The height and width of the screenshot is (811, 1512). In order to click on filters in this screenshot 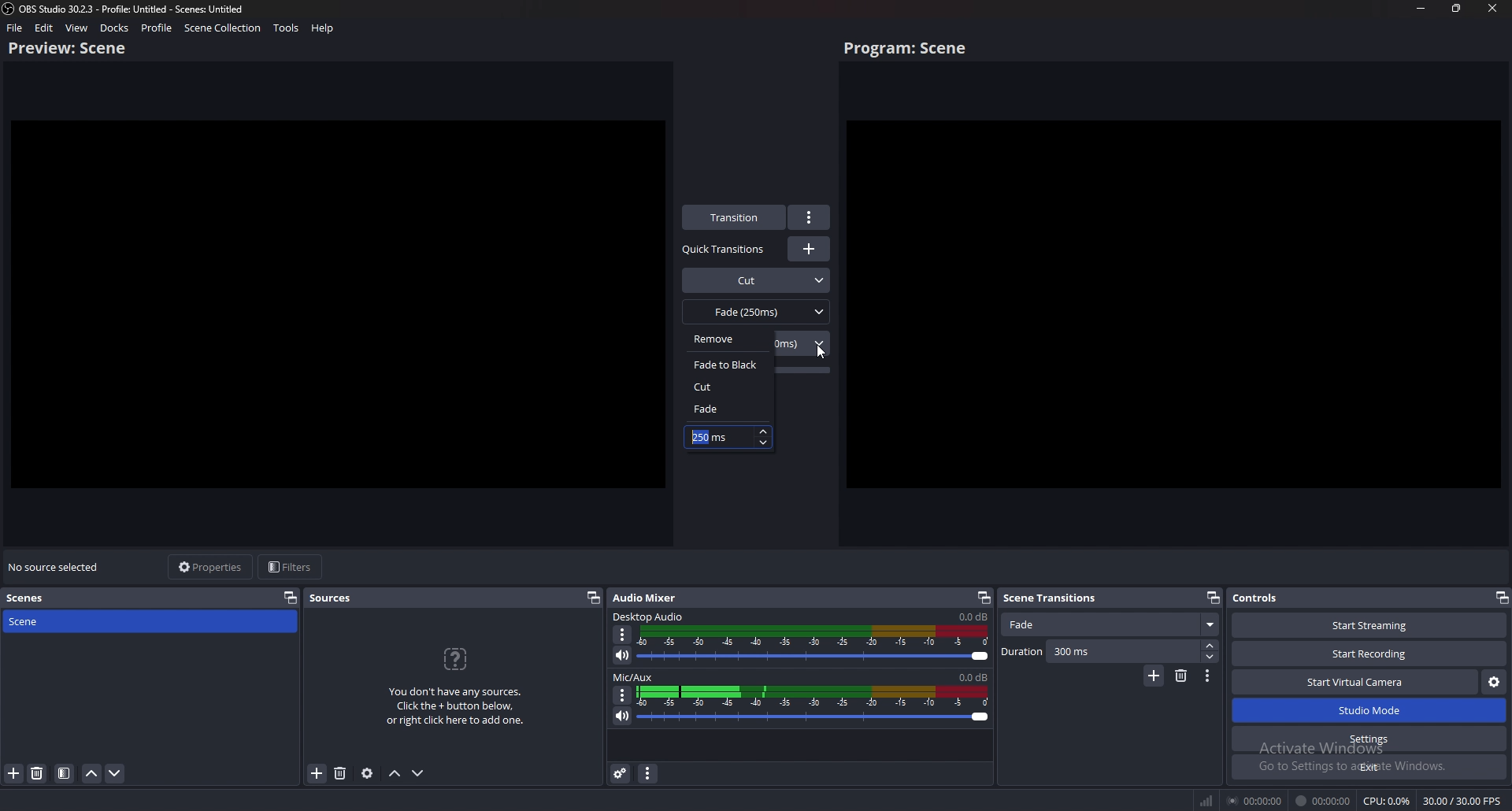, I will do `click(292, 568)`.